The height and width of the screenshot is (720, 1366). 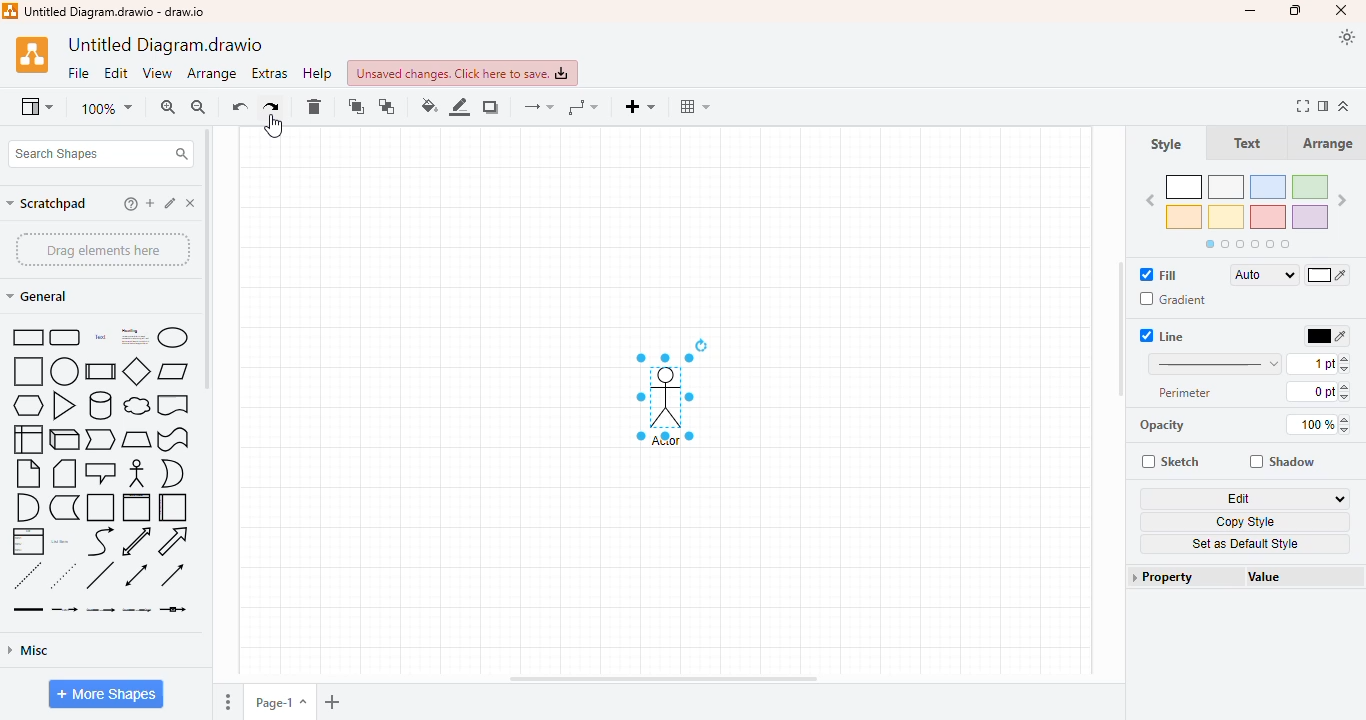 What do you see at coordinates (1252, 12) in the screenshot?
I see `minimize` at bounding box center [1252, 12].